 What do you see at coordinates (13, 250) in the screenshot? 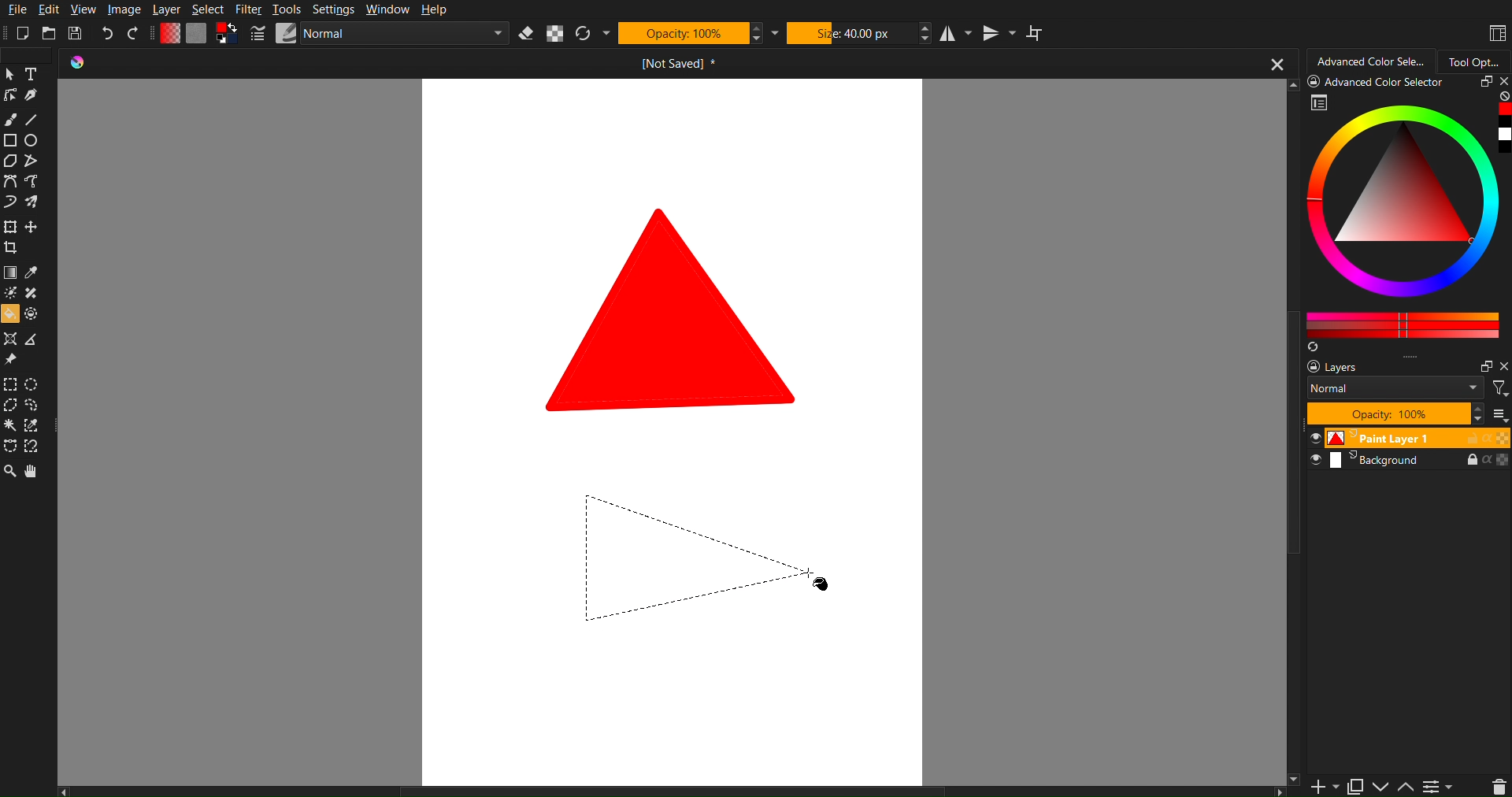
I see `Crop` at bounding box center [13, 250].